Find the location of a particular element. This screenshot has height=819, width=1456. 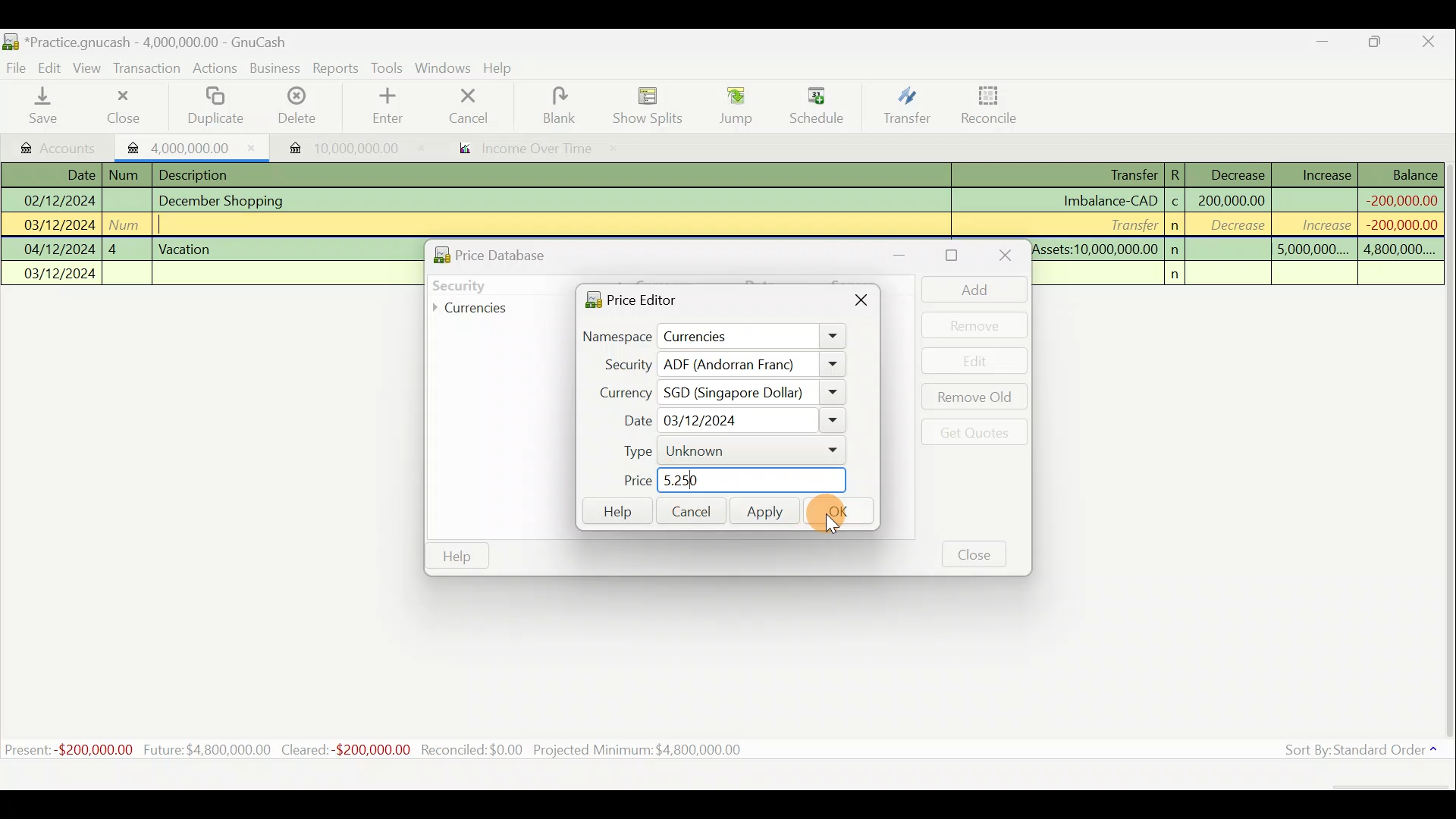

cancel is located at coordinates (485, 108).